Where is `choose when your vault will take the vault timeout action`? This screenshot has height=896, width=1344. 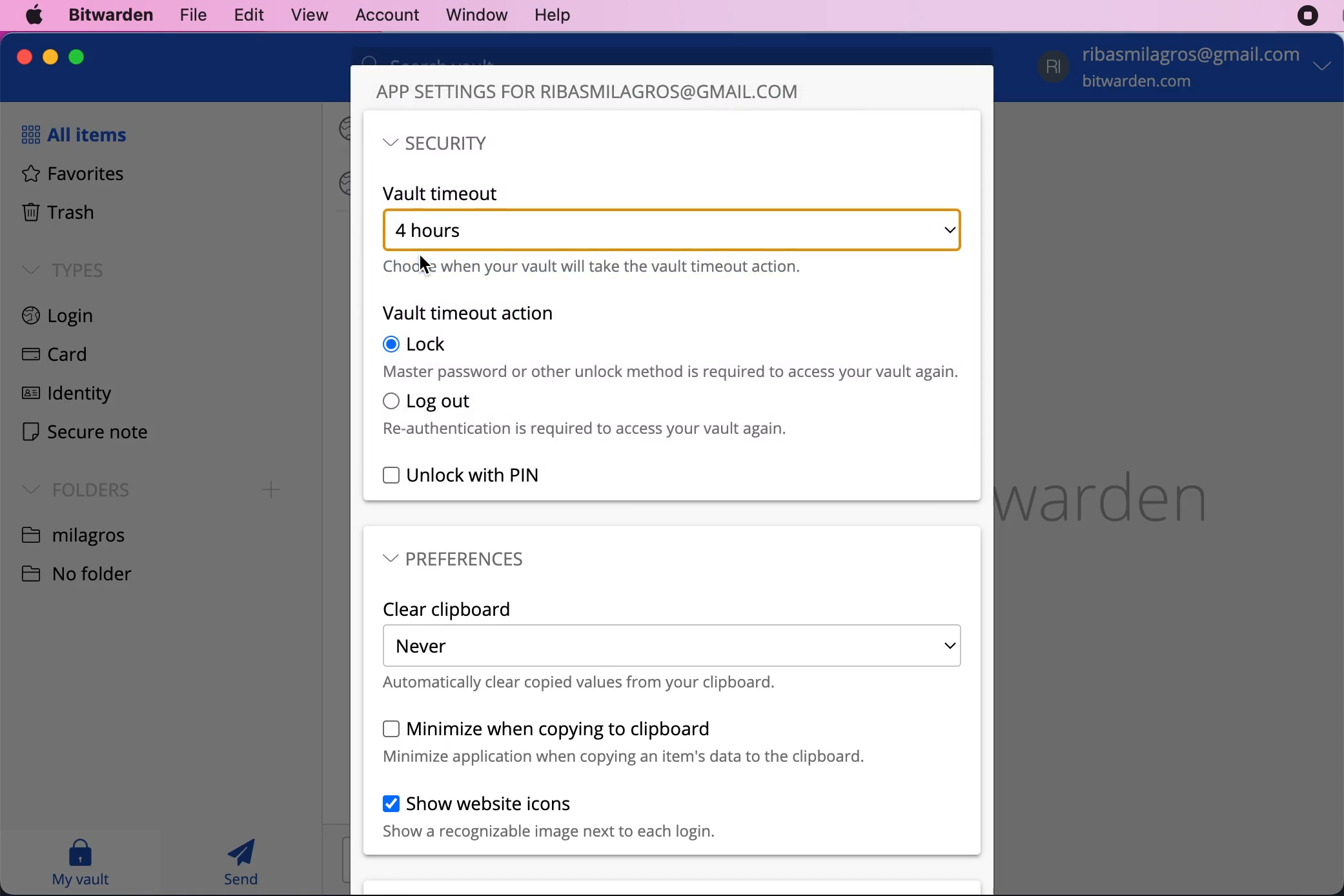
choose when your vault will take the vault timeout action is located at coordinates (594, 268).